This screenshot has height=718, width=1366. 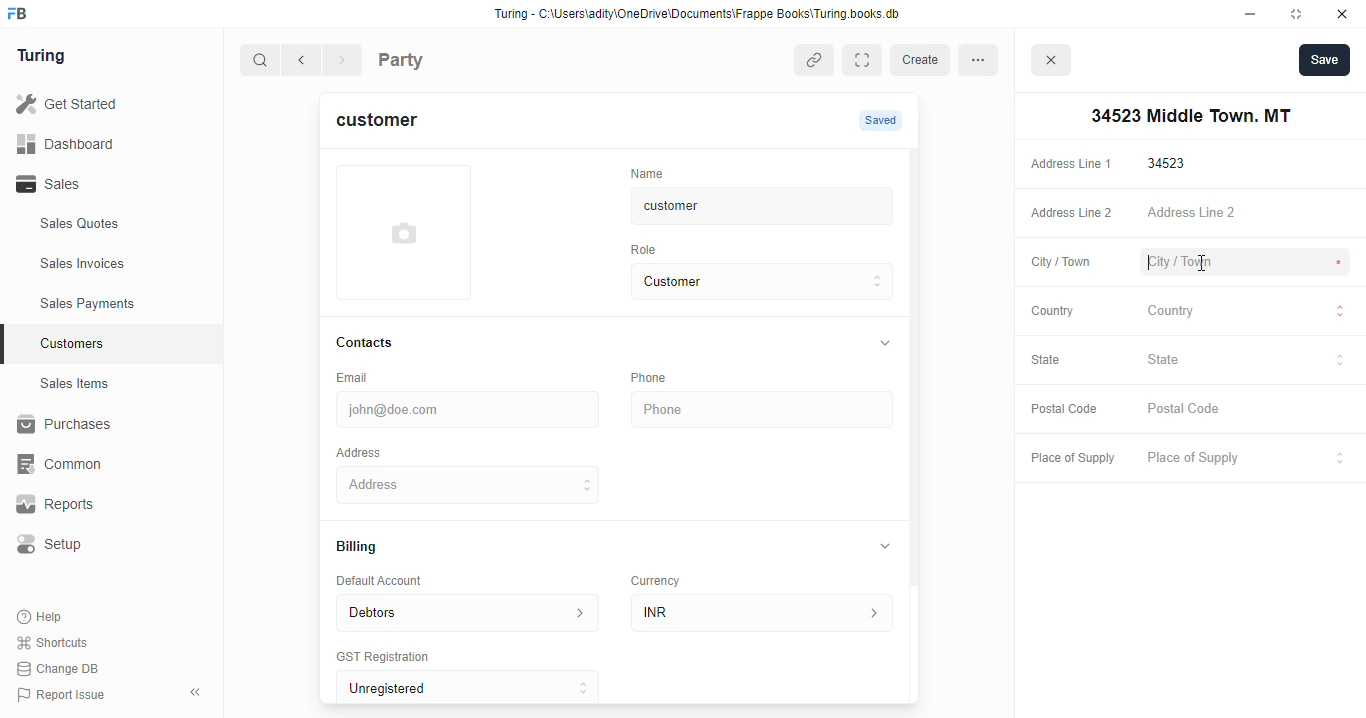 I want to click on close, so click(x=1054, y=63).